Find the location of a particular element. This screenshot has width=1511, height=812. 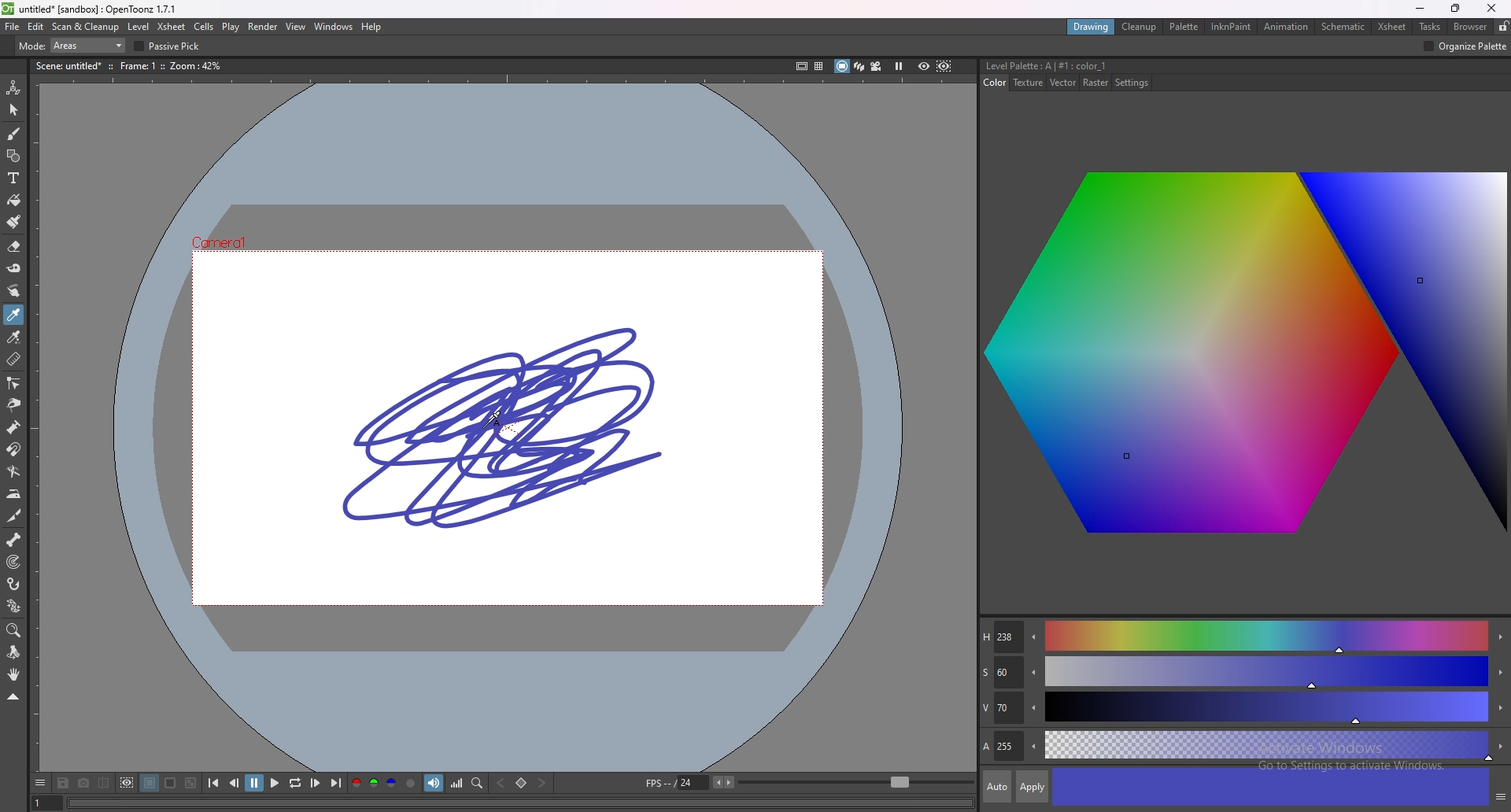

soundtrack is located at coordinates (434, 782).